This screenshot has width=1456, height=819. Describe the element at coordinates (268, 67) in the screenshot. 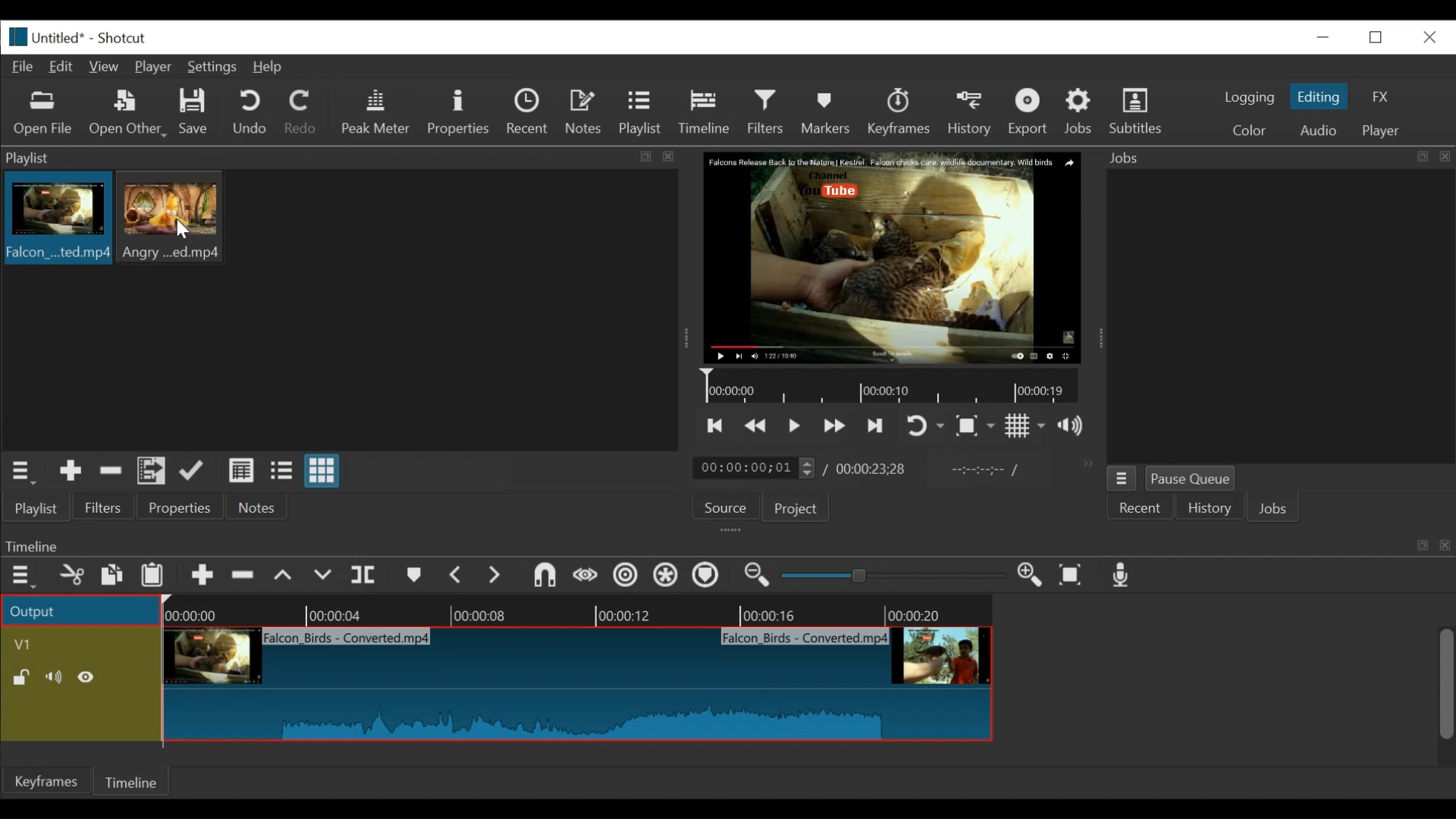

I see `Help` at that location.